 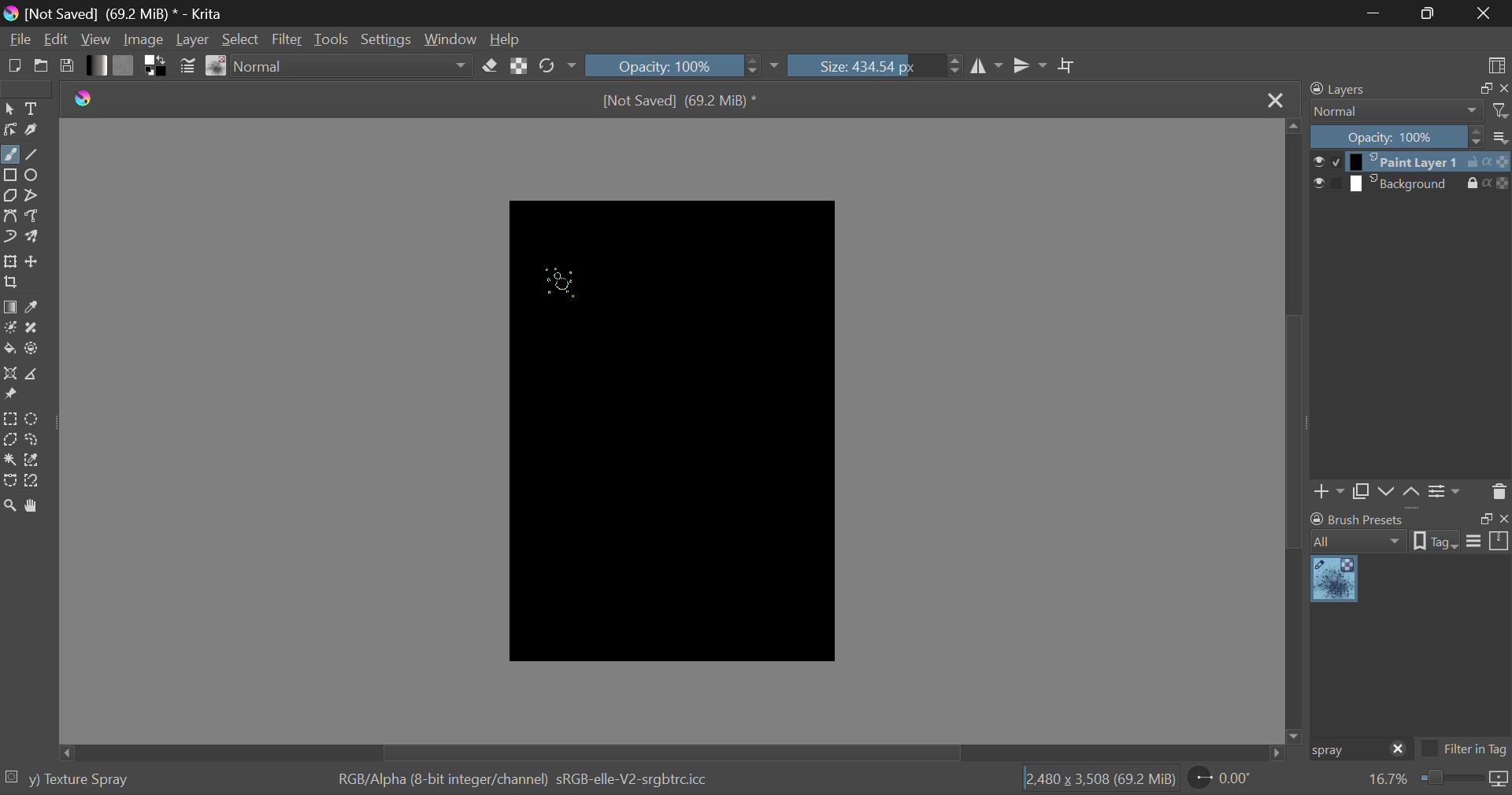 What do you see at coordinates (1503, 519) in the screenshot?
I see `close` at bounding box center [1503, 519].